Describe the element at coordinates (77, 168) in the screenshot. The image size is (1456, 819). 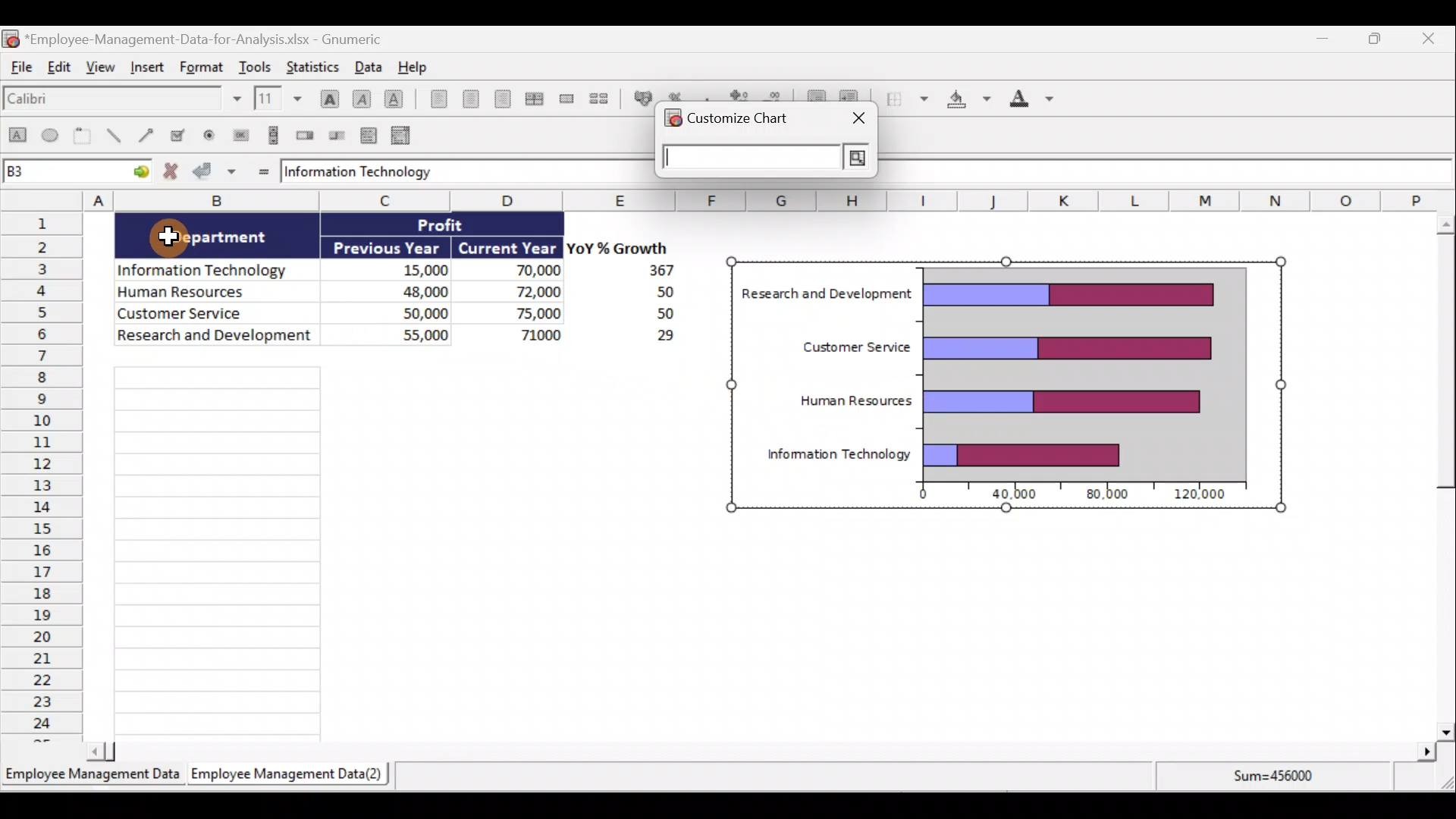
I see `Cell name` at that location.